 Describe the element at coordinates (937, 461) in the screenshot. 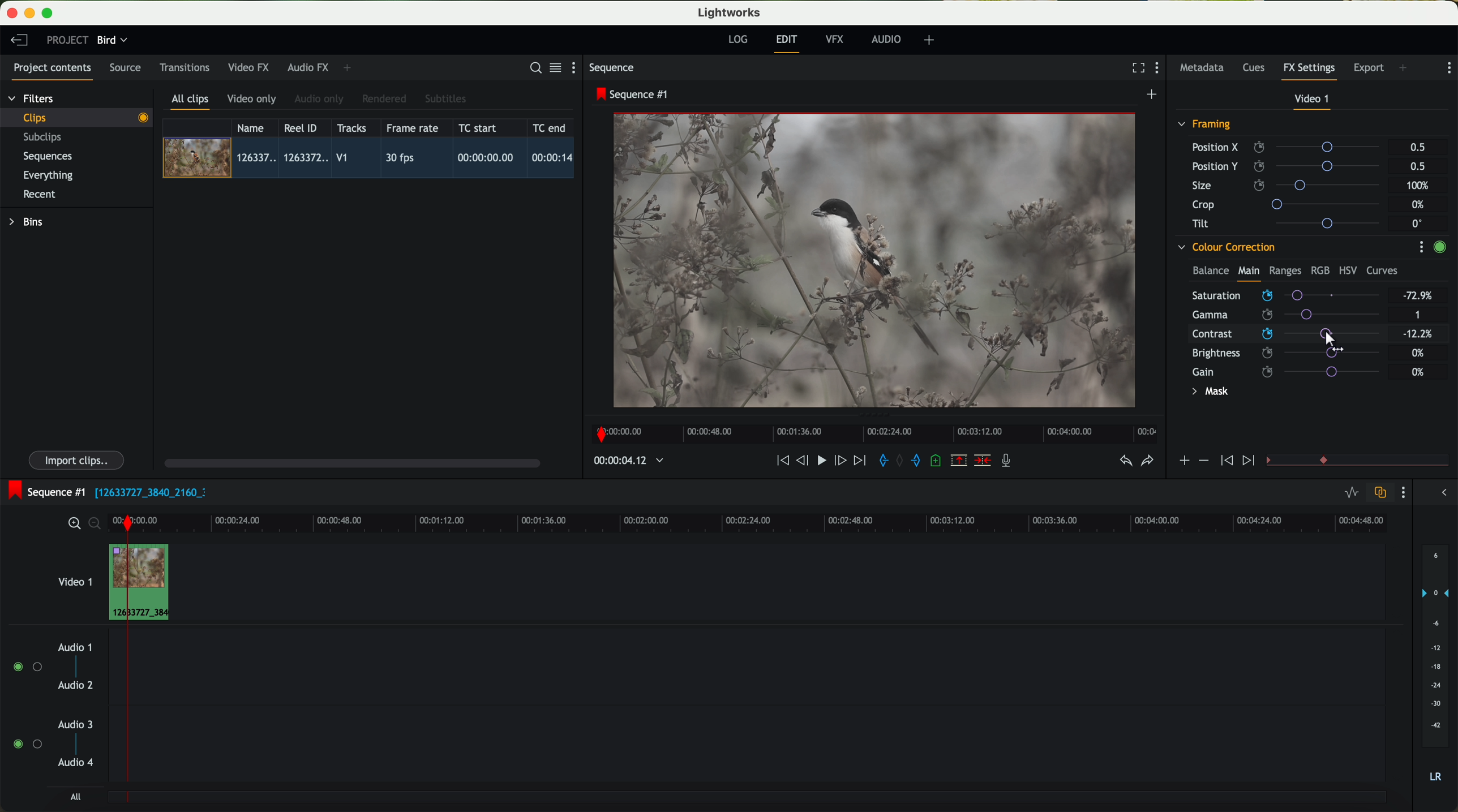

I see `add a cue at the current position` at that location.